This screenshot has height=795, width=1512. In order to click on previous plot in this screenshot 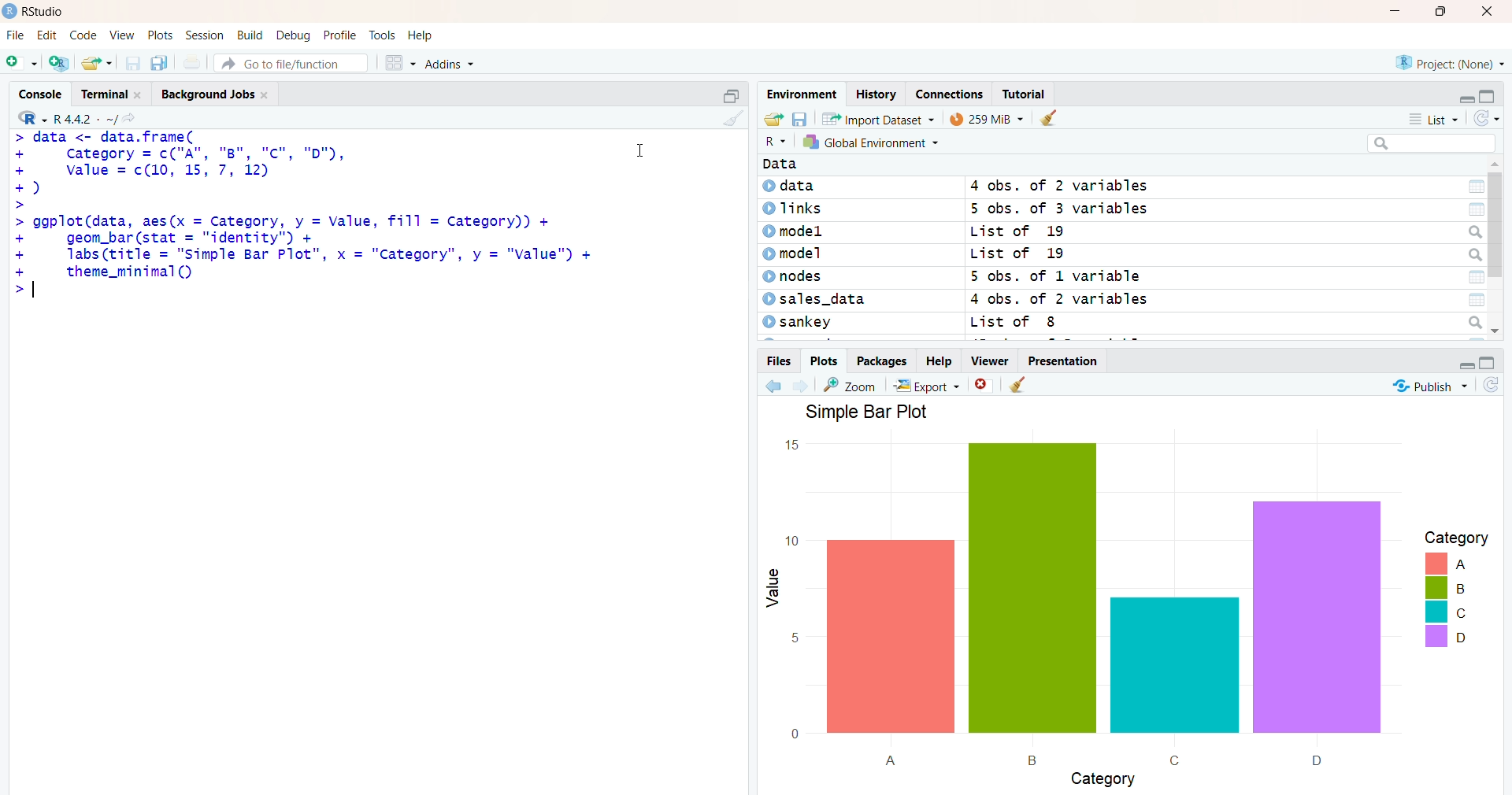, I will do `click(773, 386)`.